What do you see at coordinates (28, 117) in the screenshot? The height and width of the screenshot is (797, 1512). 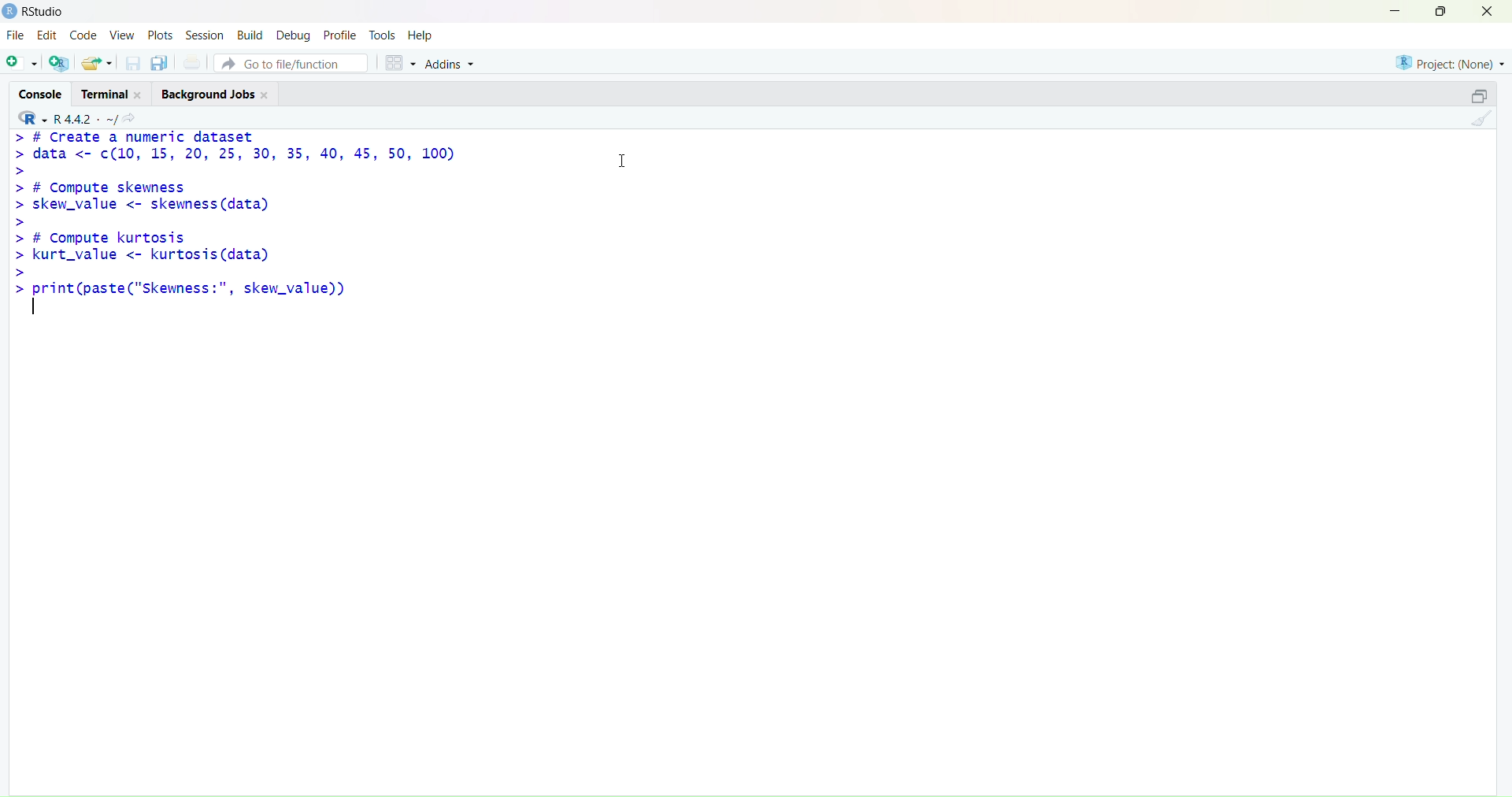 I see `R` at bounding box center [28, 117].